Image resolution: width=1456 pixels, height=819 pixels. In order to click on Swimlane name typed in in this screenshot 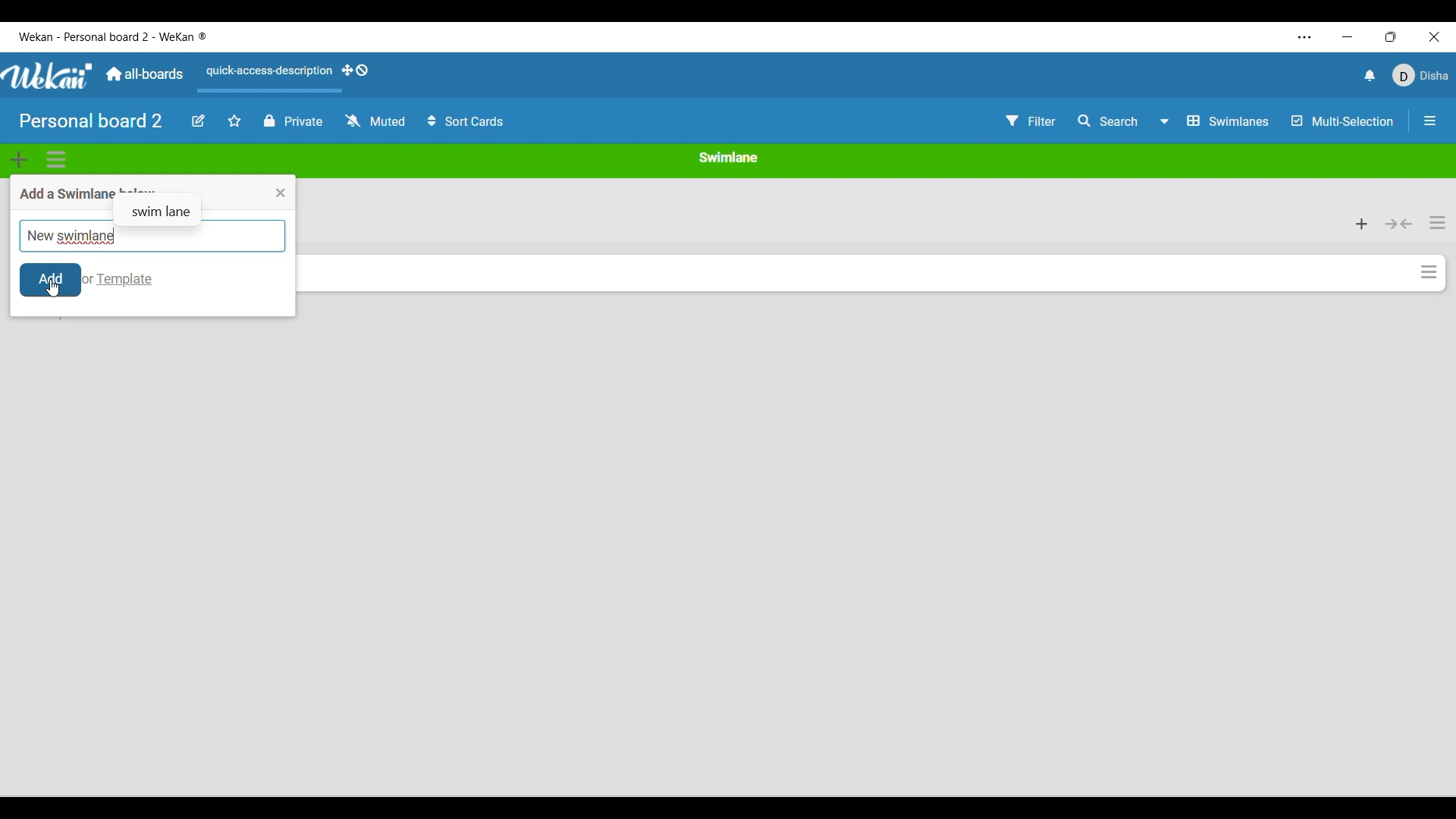, I will do `click(71, 236)`.